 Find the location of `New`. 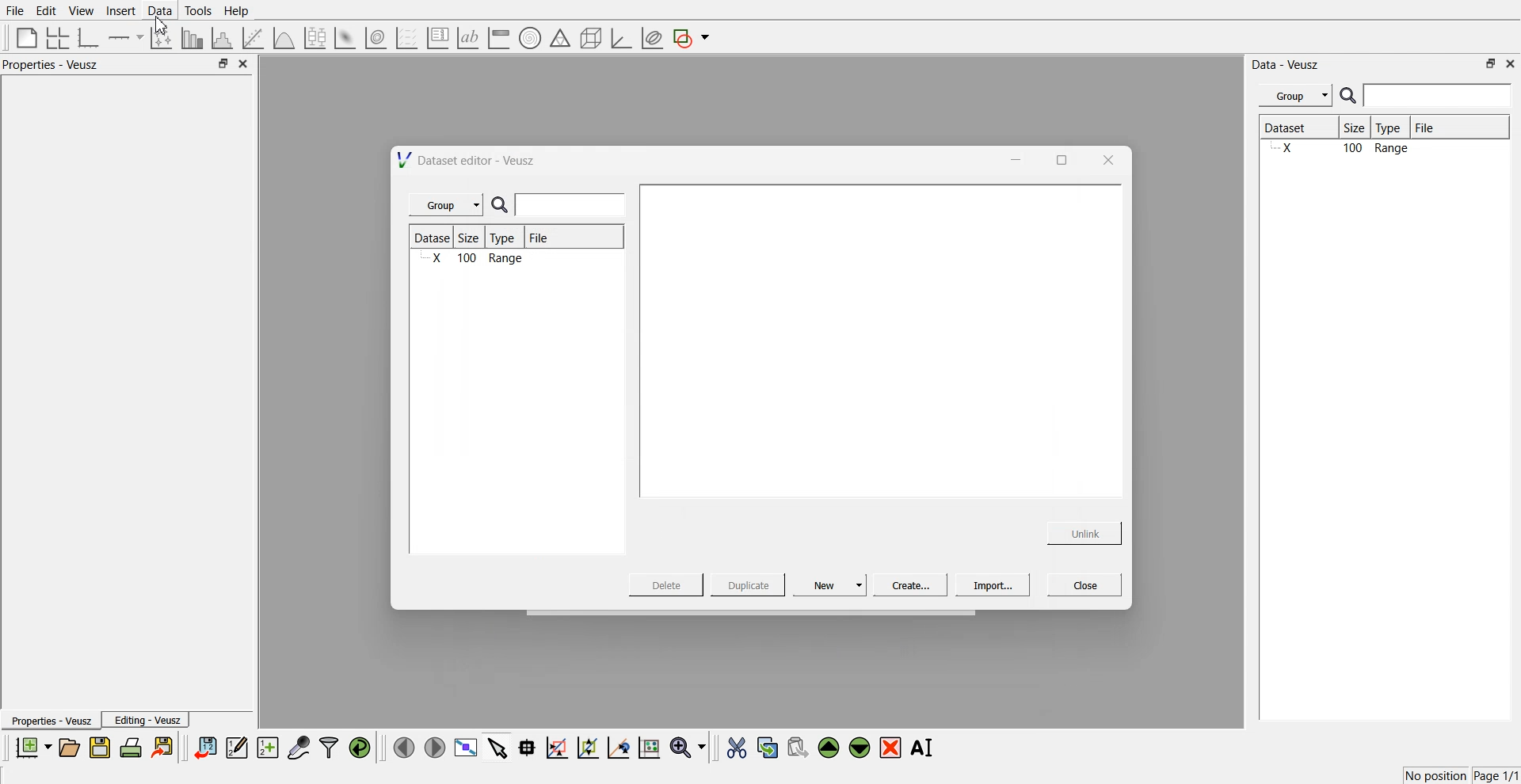

New is located at coordinates (832, 584).